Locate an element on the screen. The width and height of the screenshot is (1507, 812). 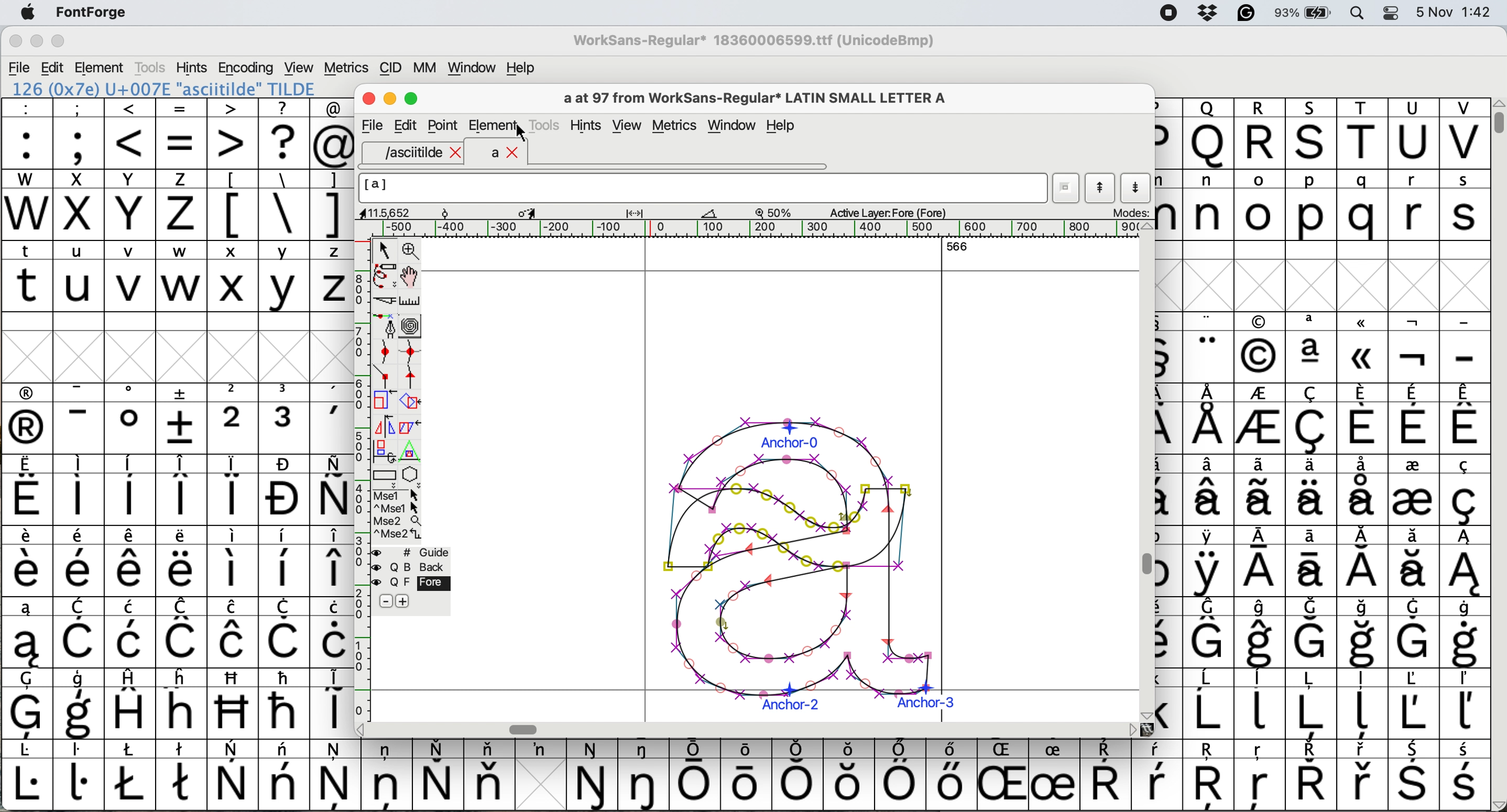
symbol is located at coordinates (1310, 703).